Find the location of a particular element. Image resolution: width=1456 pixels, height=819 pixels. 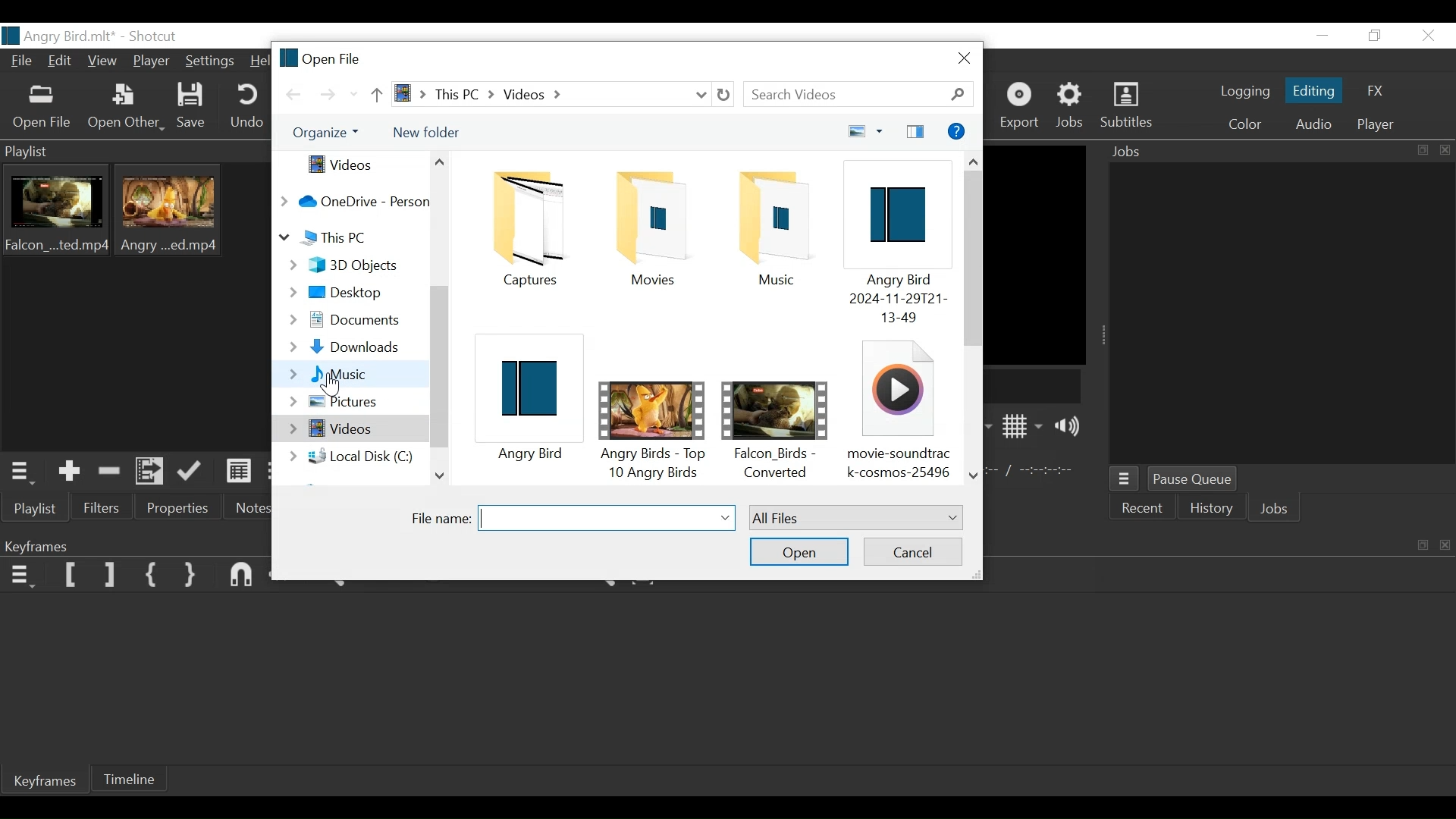

Clip is located at coordinates (60, 214).